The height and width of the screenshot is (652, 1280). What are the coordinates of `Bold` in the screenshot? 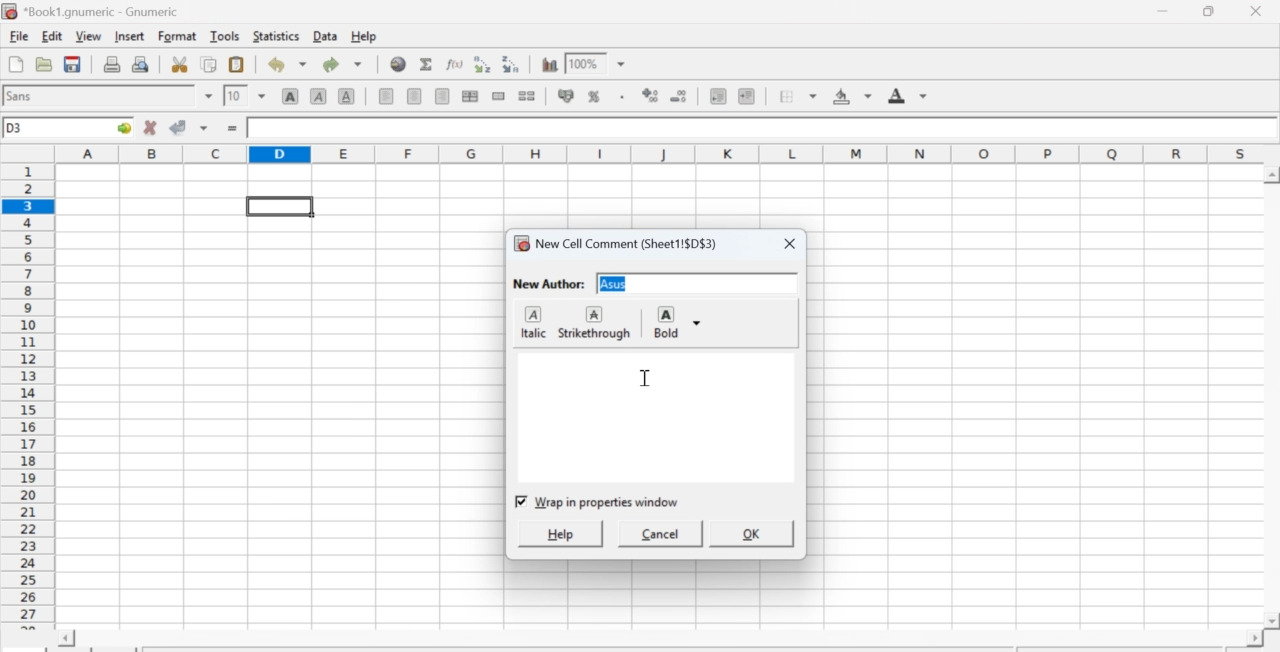 It's located at (287, 96).